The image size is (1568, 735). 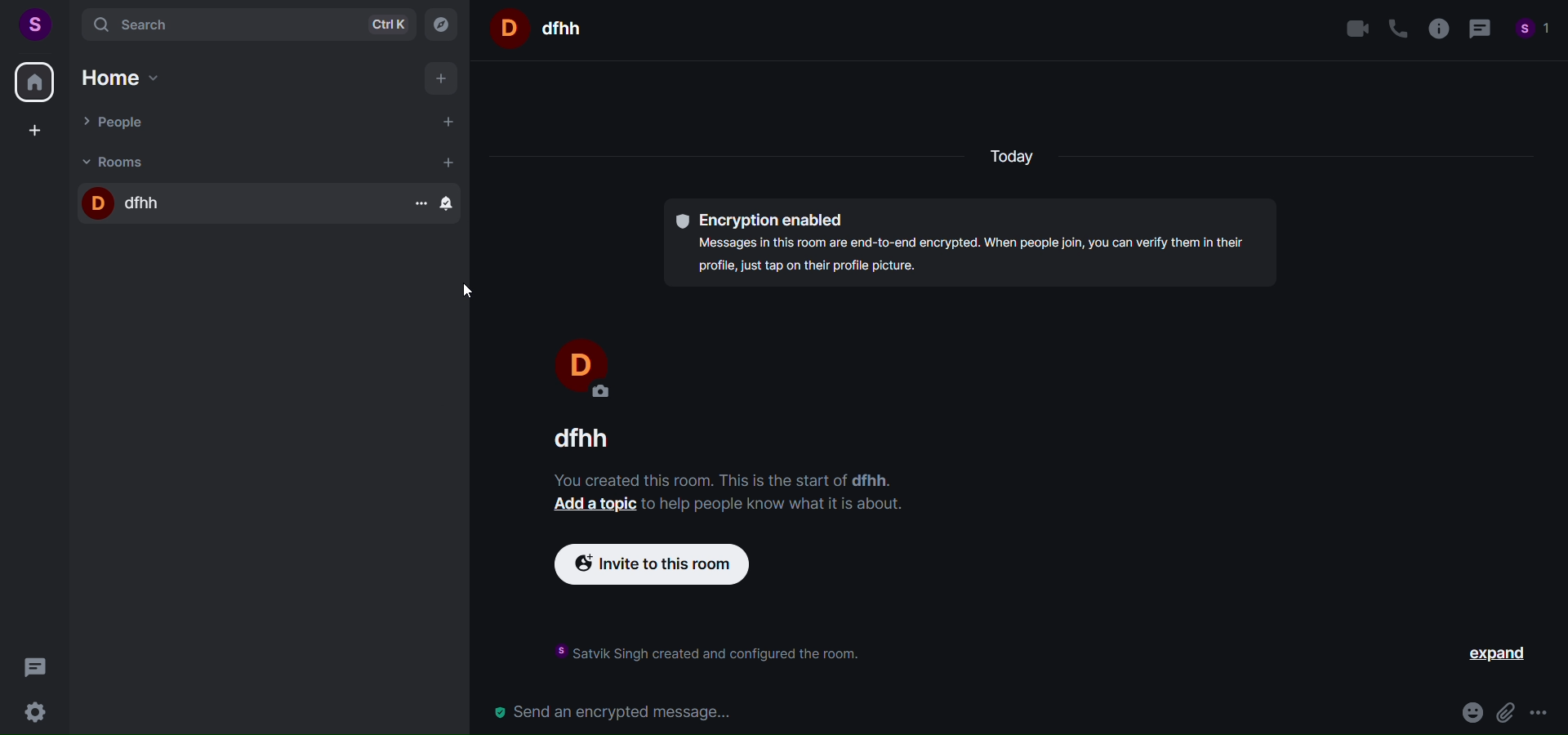 What do you see at coordinates (1539, 711) in the screenshot?
I see `more options` at bounding box center [1539, 711].